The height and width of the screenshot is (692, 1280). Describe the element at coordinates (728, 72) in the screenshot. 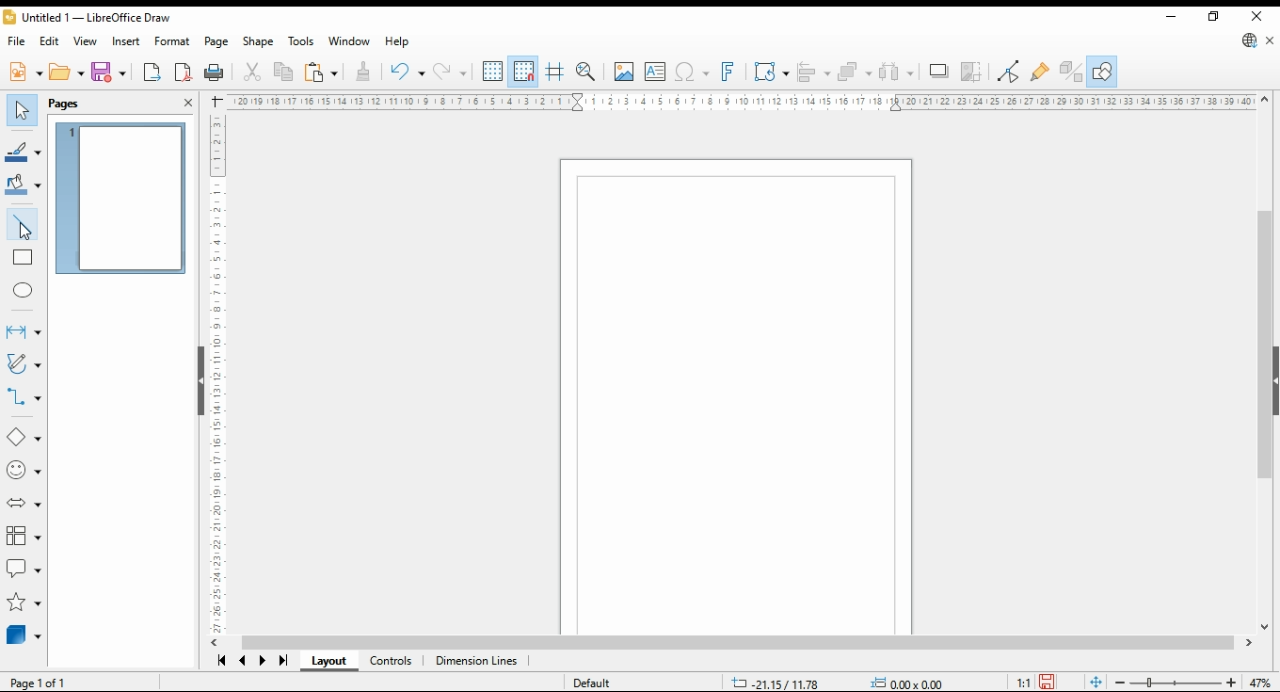

I see `insert fontwork text` at that location.